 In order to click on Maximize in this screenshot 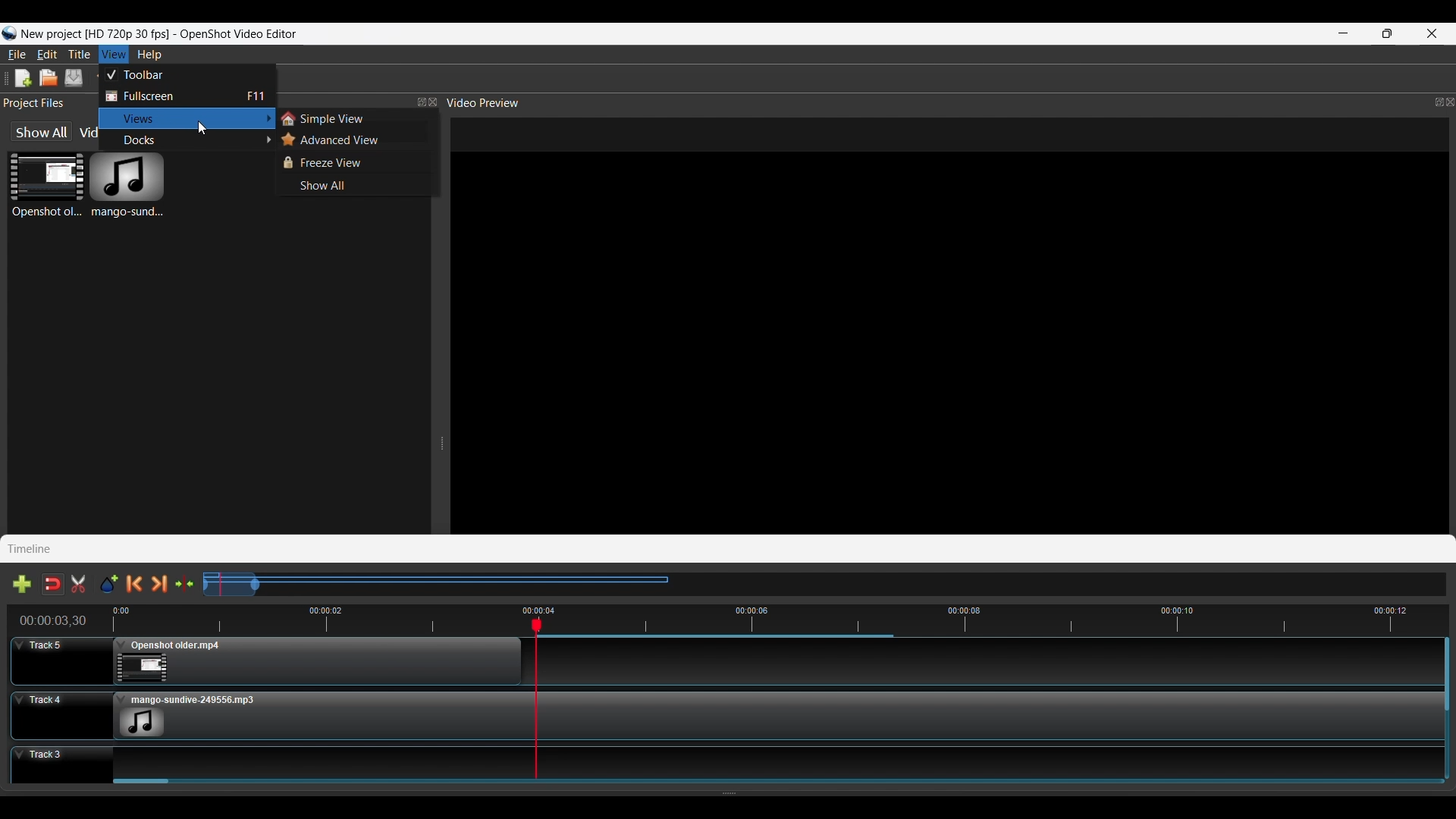, I will do `click(413, 102)`.